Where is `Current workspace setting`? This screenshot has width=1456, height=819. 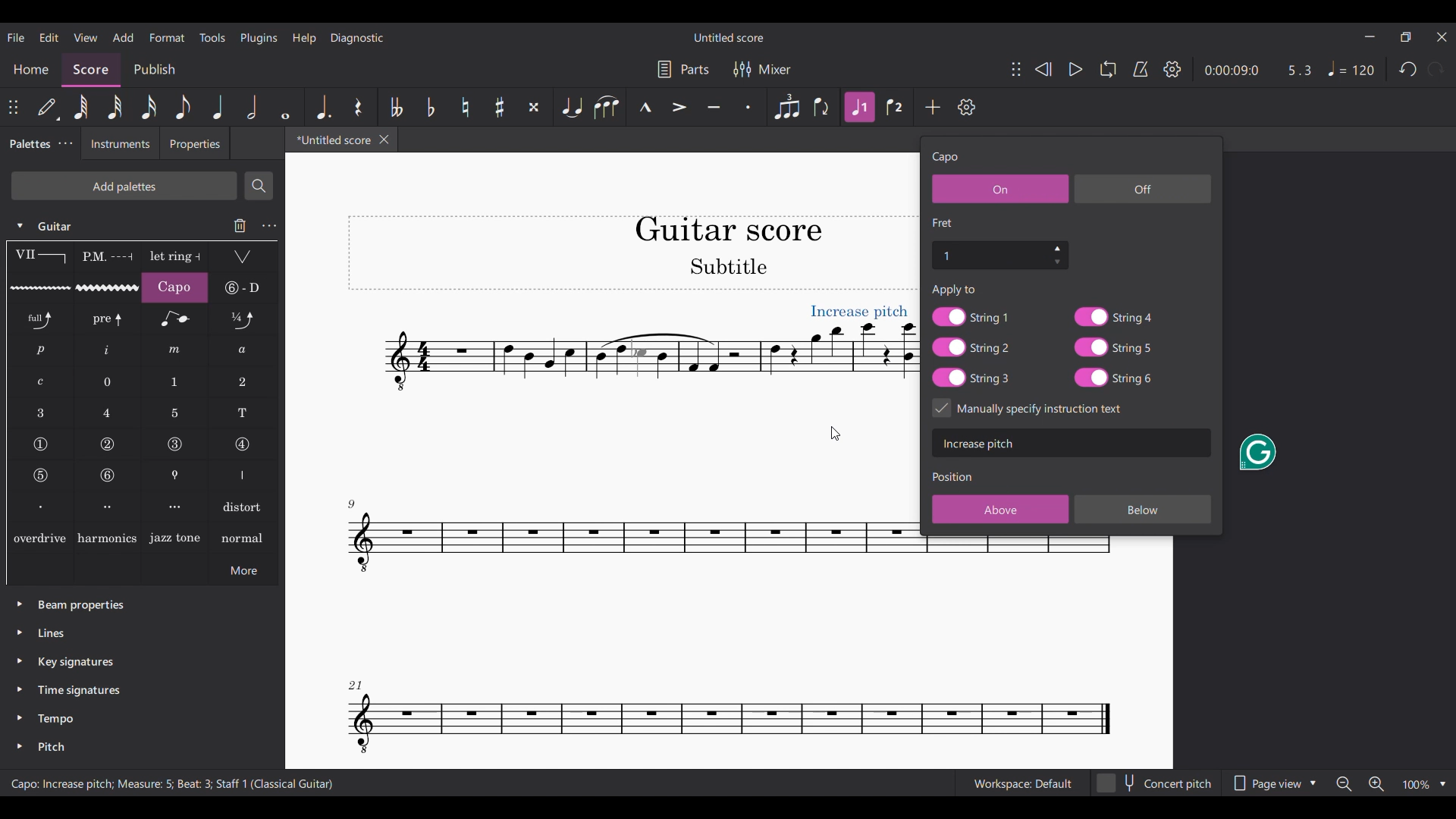
Current workspace setting is located at coordinates (1022, 783).